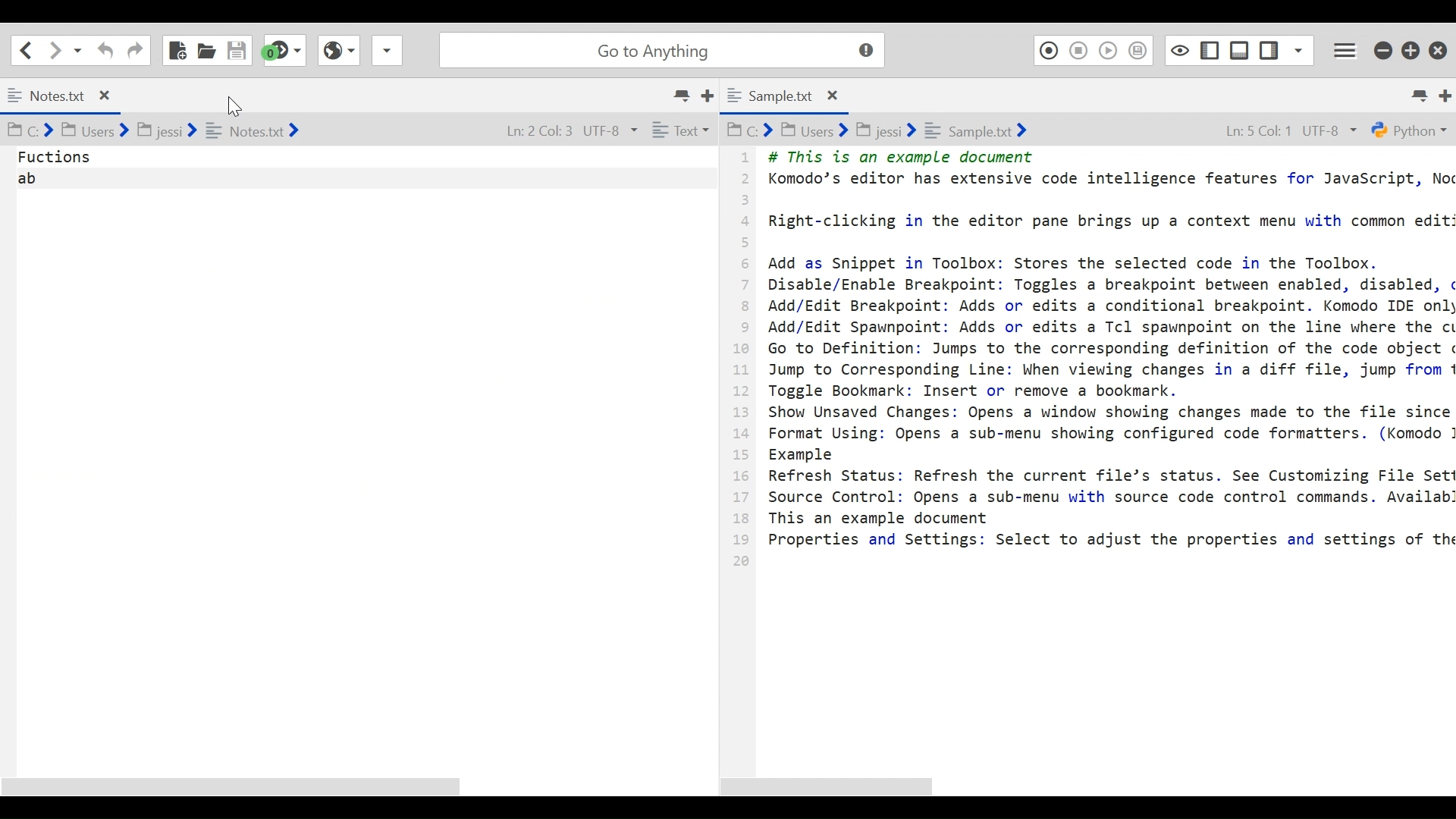 The height and width of the screenshot is (819, 1456). What do you see at coordinates (1047, 50) in the screenshot?
I see `Recording Macro` at bounding box center [1047, 50].